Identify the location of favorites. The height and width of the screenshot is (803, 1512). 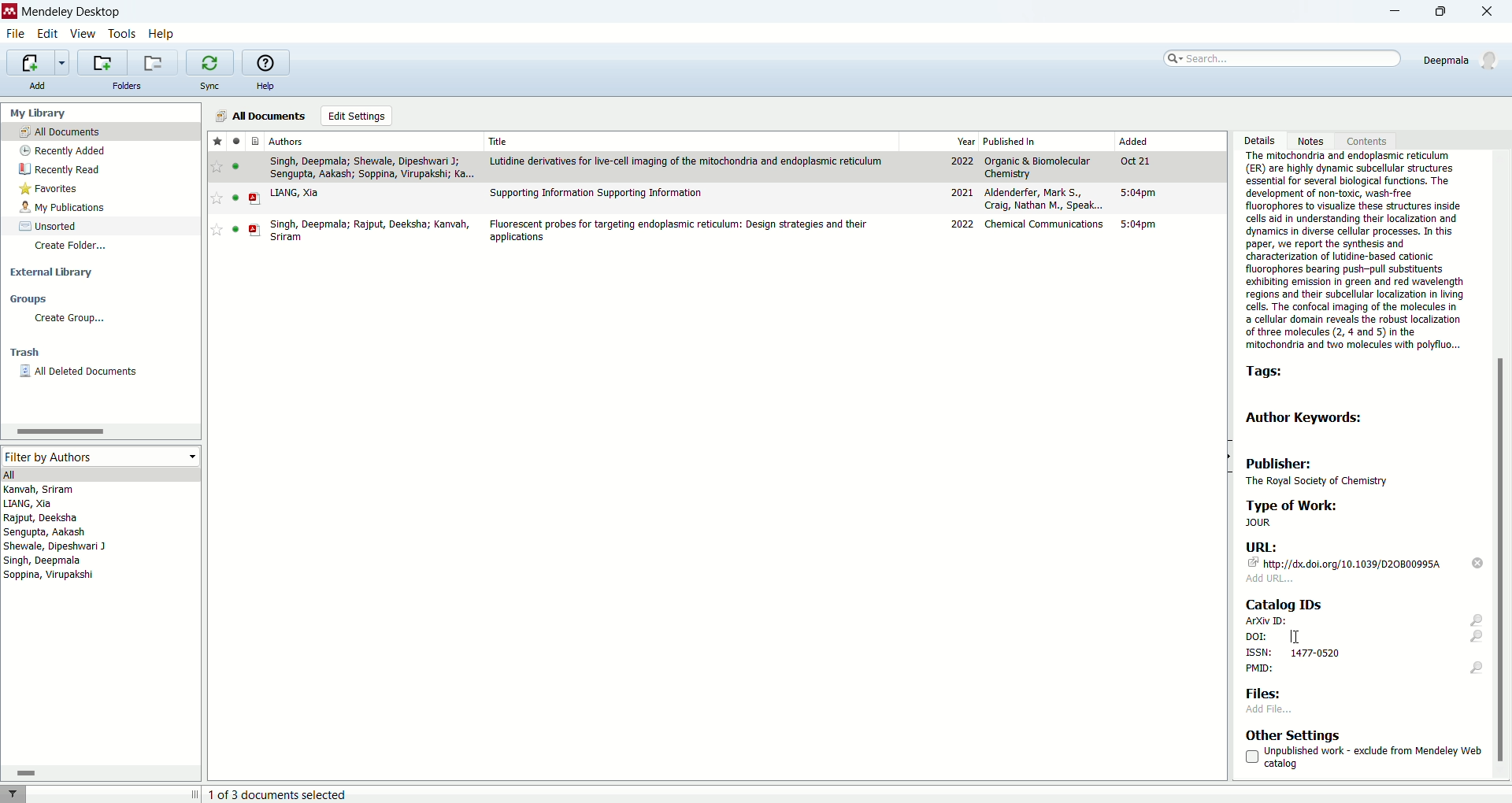
(50, 189).